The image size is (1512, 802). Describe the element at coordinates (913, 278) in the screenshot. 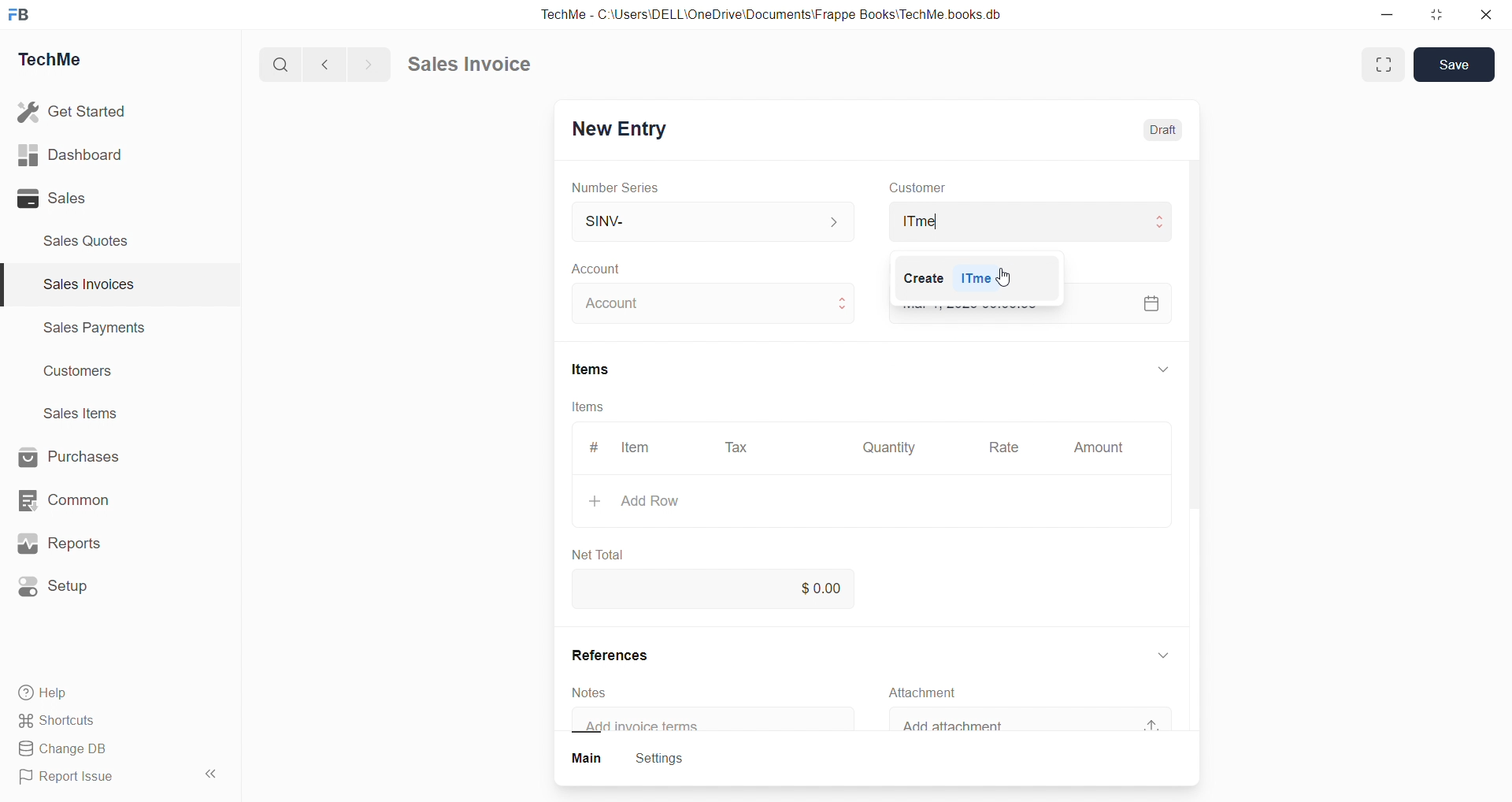

I see `Create` at that location.